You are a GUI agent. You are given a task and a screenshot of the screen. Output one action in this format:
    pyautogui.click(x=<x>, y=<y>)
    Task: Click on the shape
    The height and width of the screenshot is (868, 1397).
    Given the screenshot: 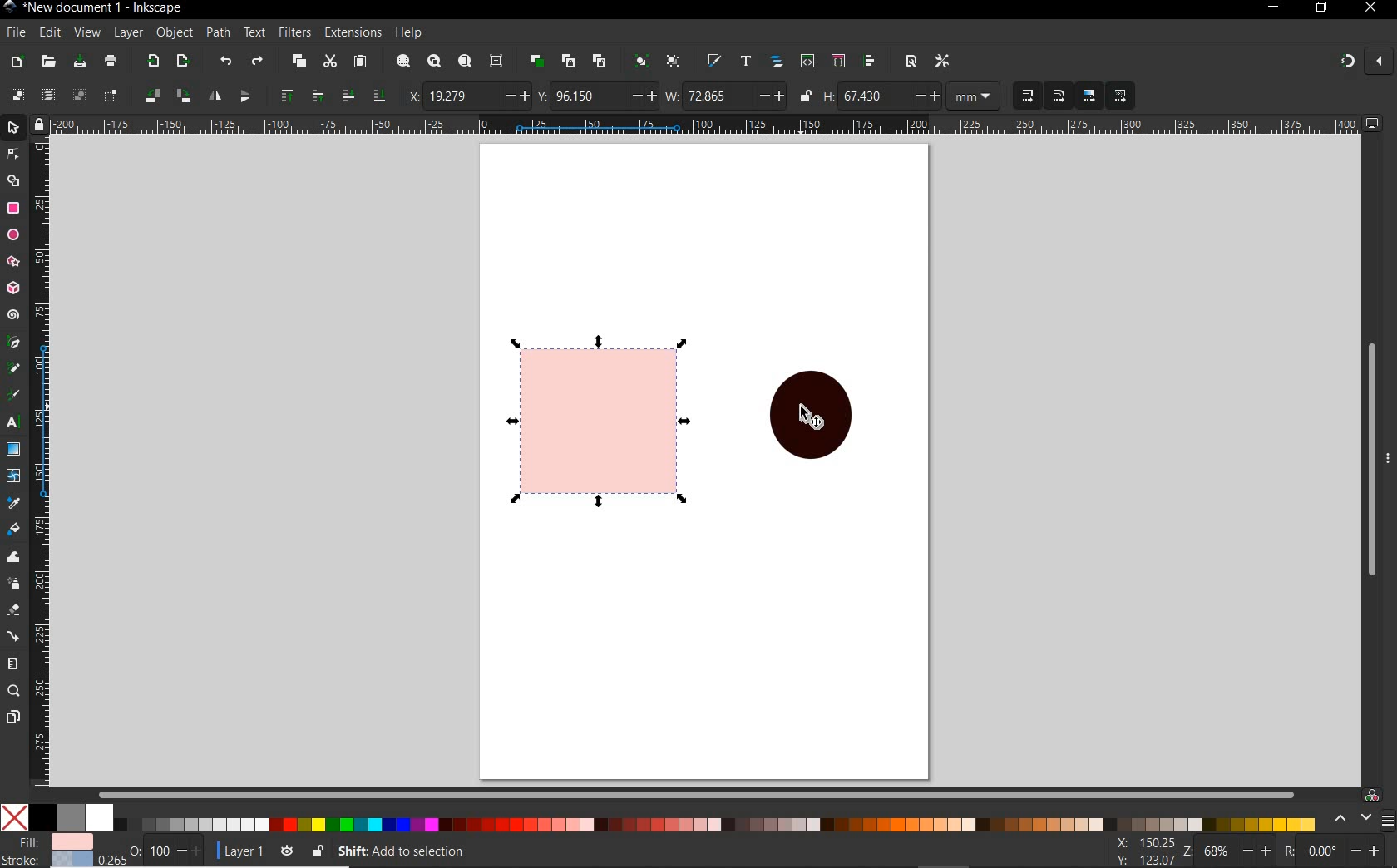 What is the action you would take?
    pyautogui.click(x=812, y=415)
    